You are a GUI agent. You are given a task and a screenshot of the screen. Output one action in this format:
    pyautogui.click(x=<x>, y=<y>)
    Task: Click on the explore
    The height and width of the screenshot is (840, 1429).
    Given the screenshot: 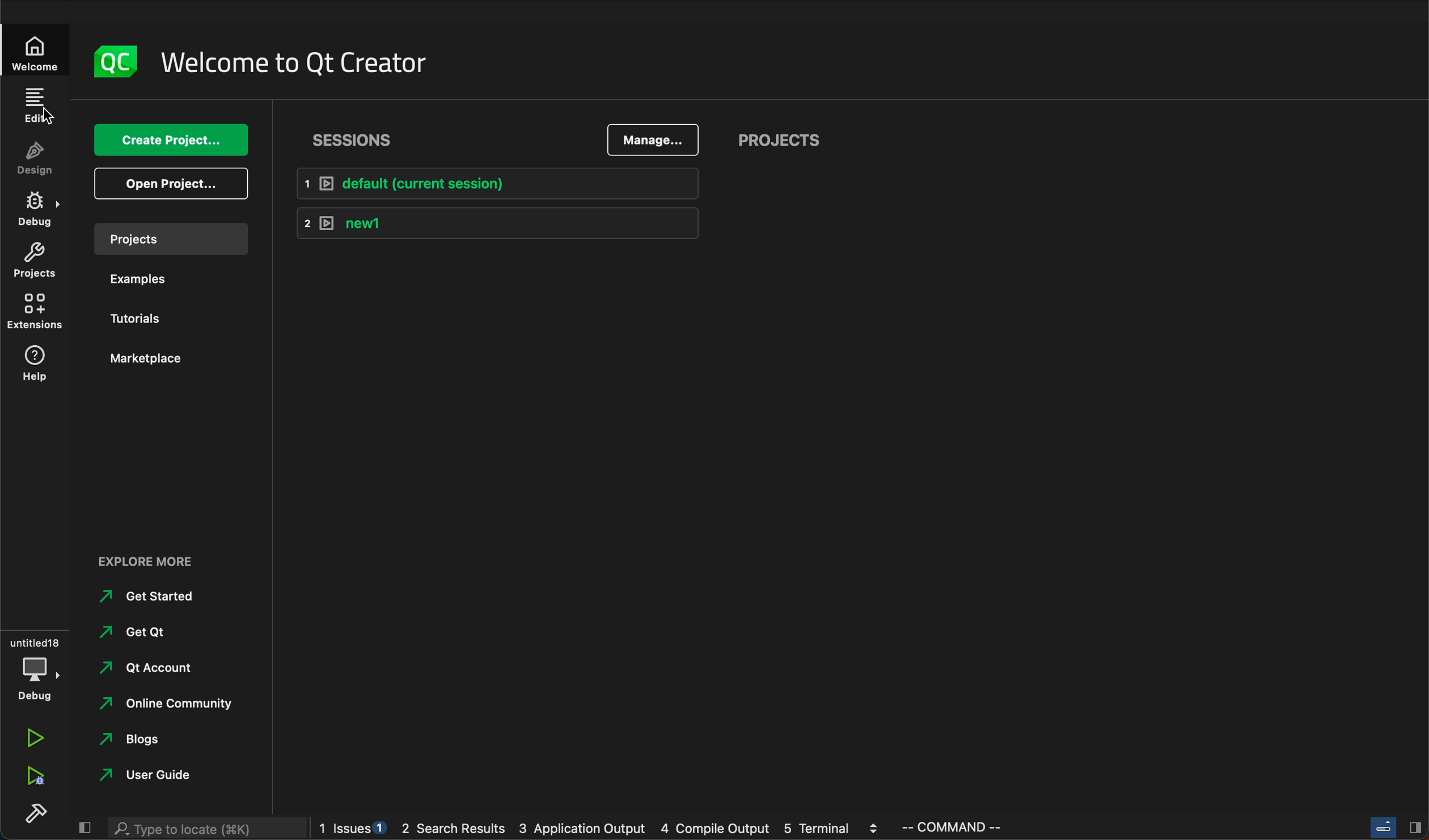 What is the action you would take?
    pyautogui.click(x=149, y=559)
    